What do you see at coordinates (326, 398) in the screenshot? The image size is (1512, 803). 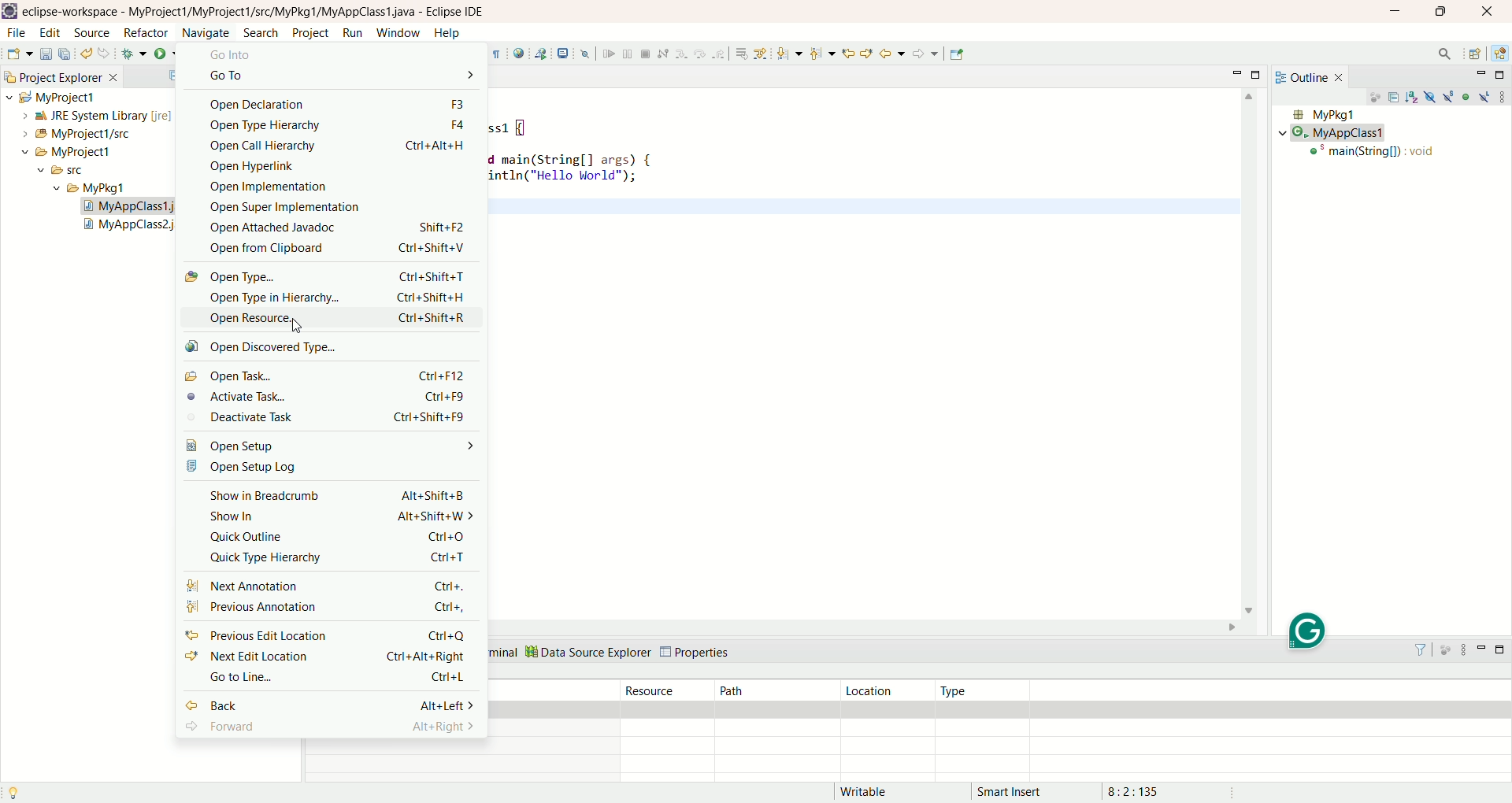 I see `activate task` at bounding box center [326, 398].